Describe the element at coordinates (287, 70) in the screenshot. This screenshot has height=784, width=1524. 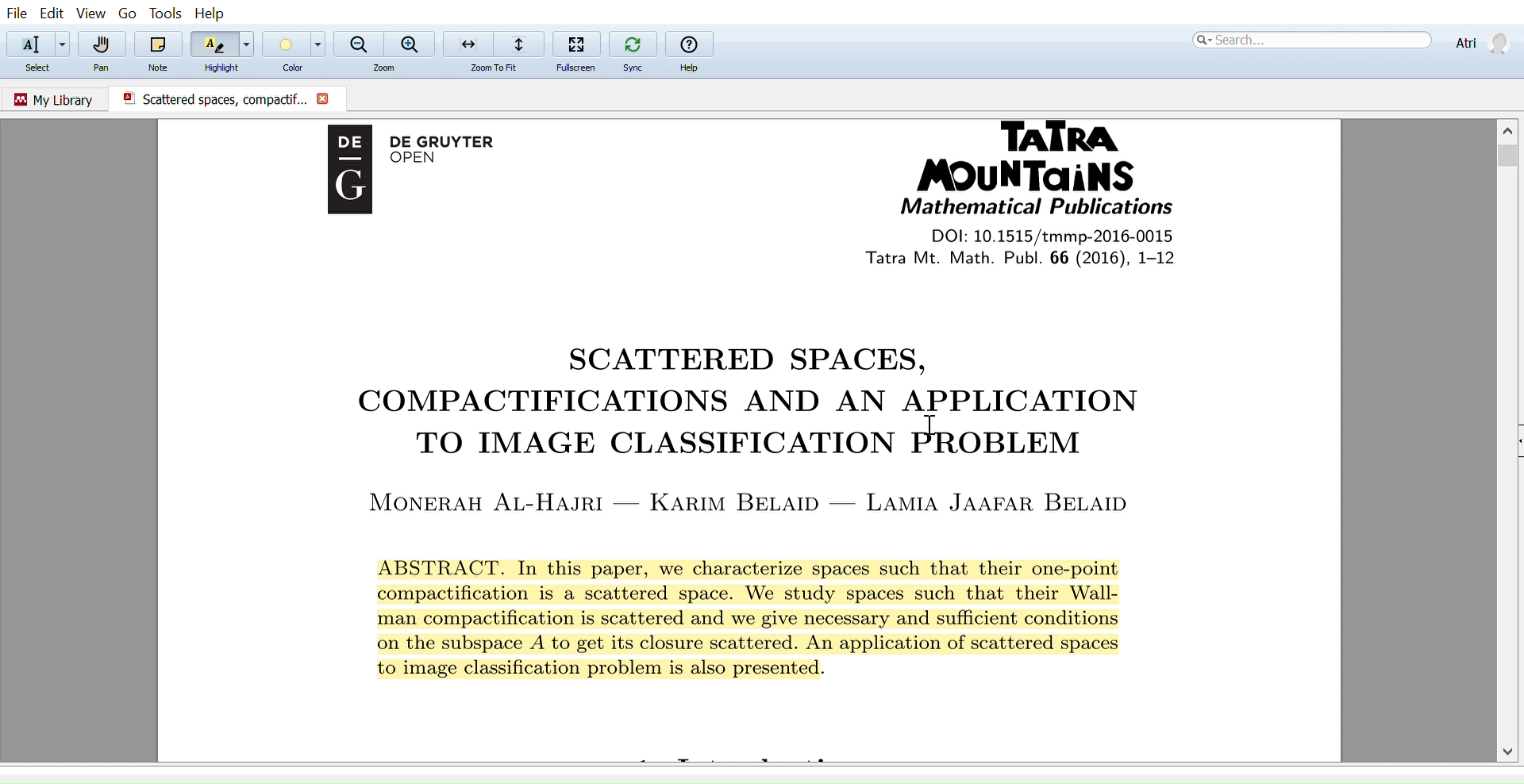
I see `Color` at that location.